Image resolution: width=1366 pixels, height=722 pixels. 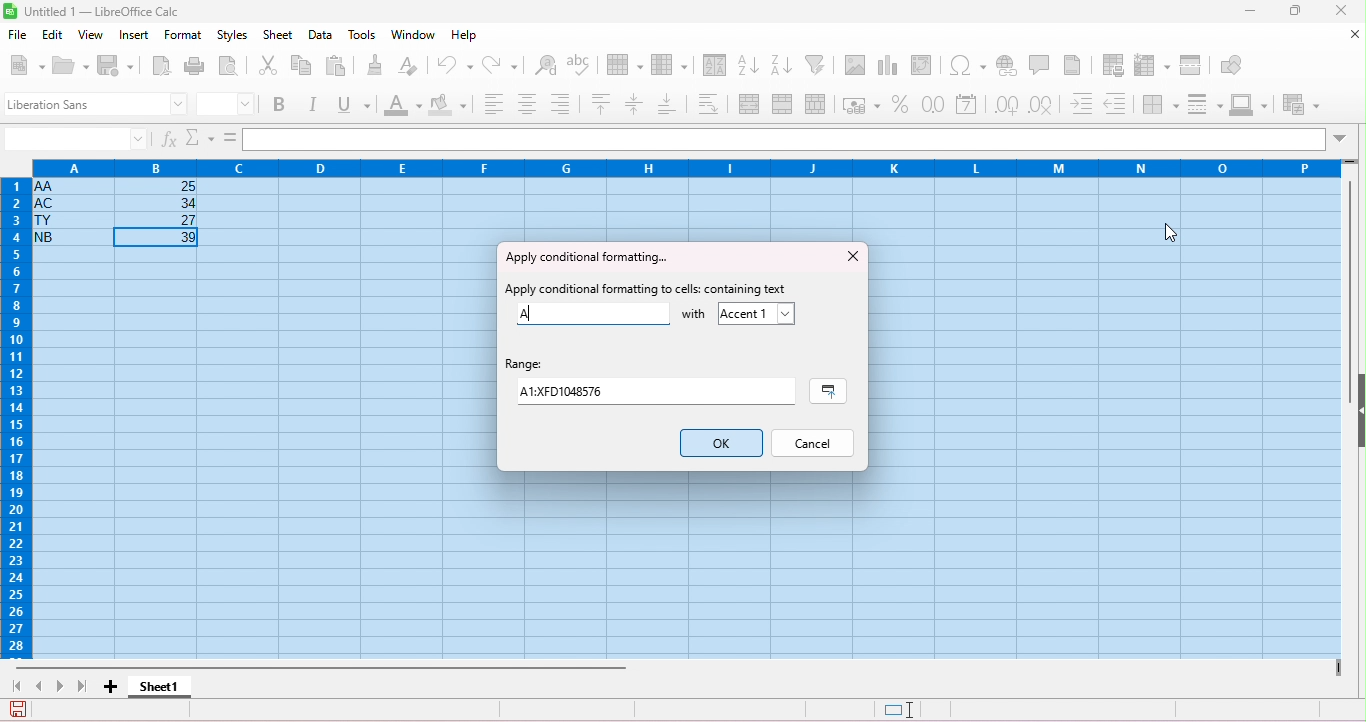 What do you see at coordinates (1251, 104) in the screenshot?
I see `border color` at bounding box center [1251, 104].